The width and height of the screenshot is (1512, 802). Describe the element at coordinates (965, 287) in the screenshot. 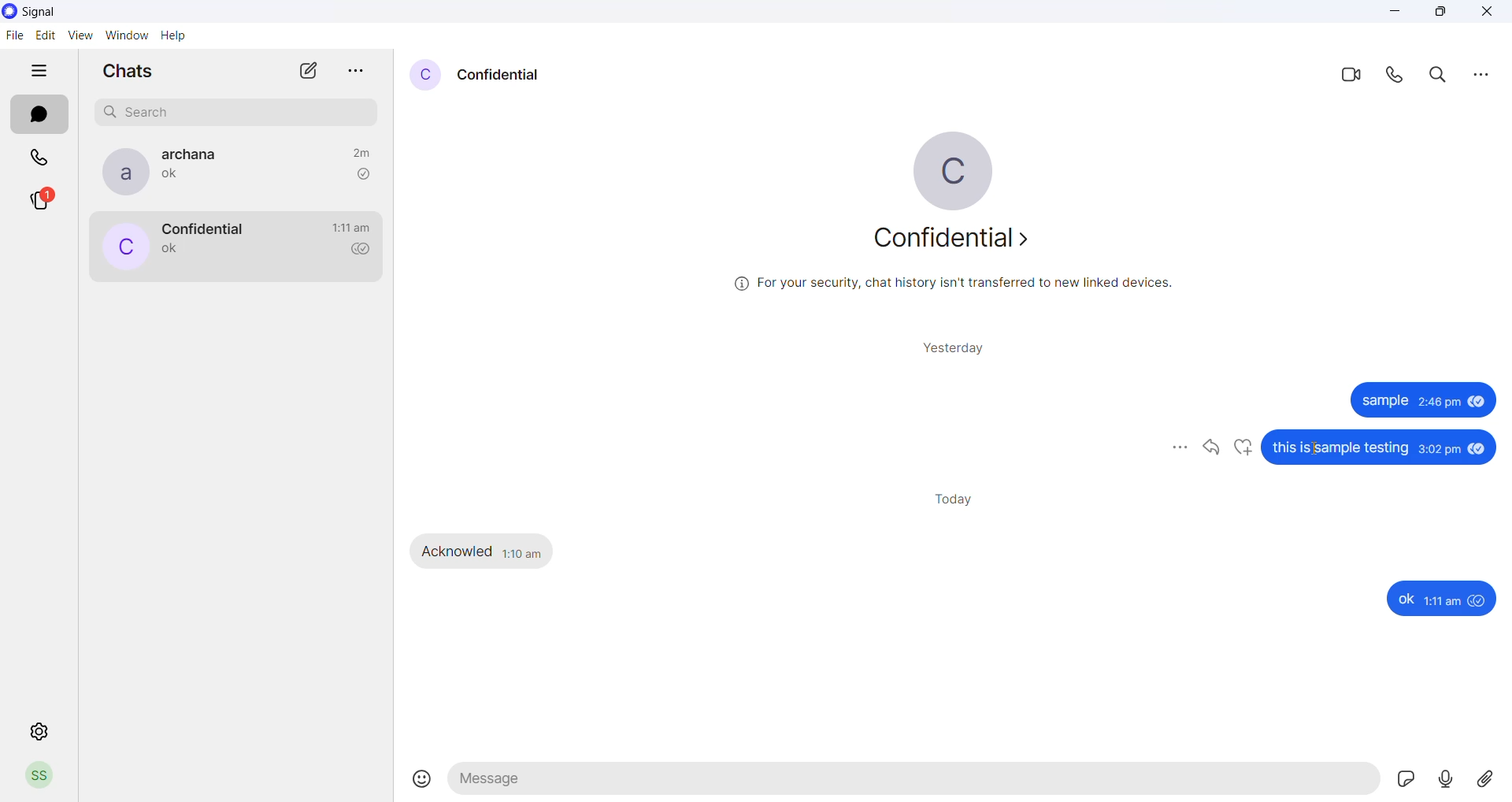

I see `security related text` at that location.